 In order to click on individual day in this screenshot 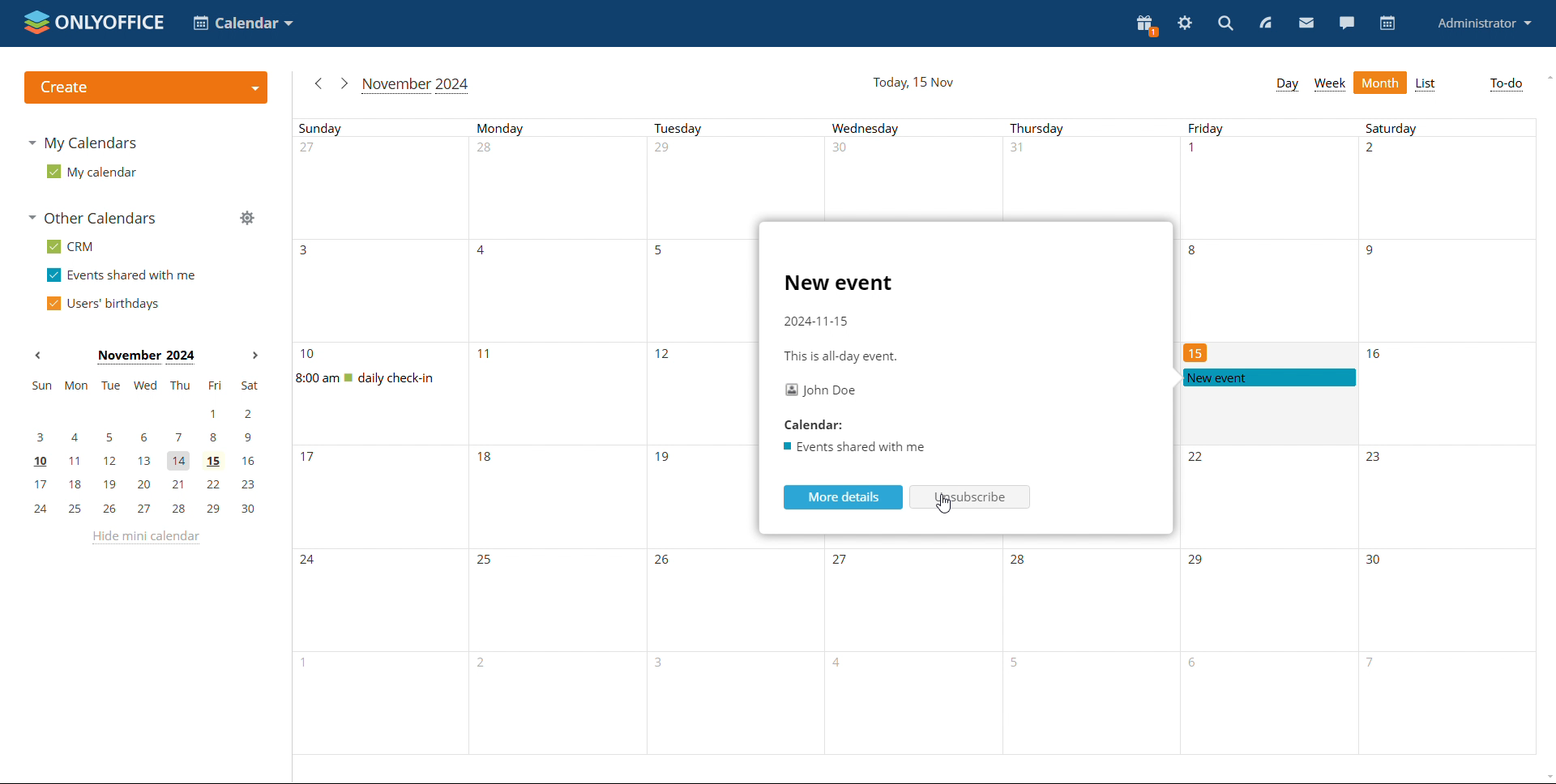, I will do `click(1446, 129)`.